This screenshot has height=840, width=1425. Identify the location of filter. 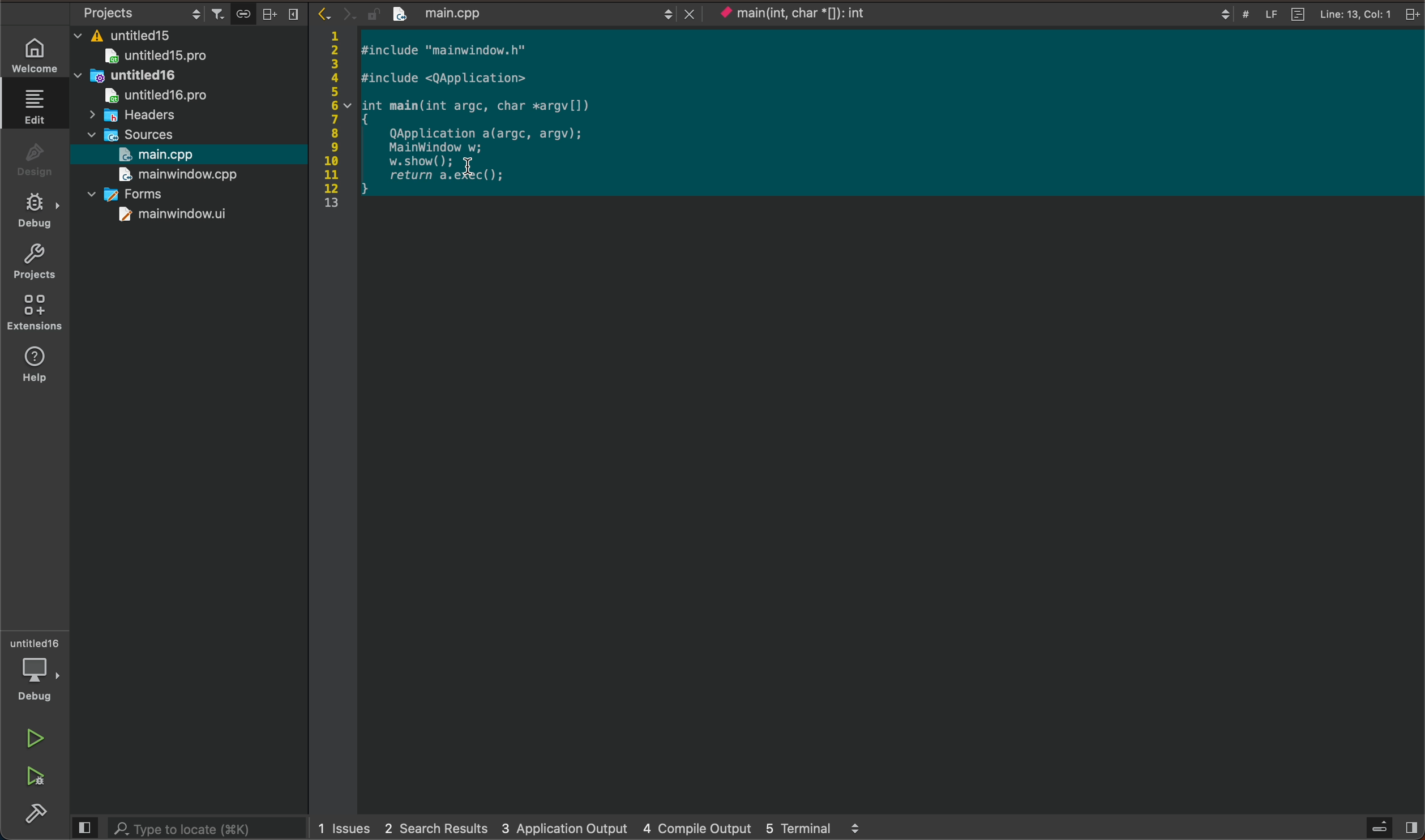
(219, 14).